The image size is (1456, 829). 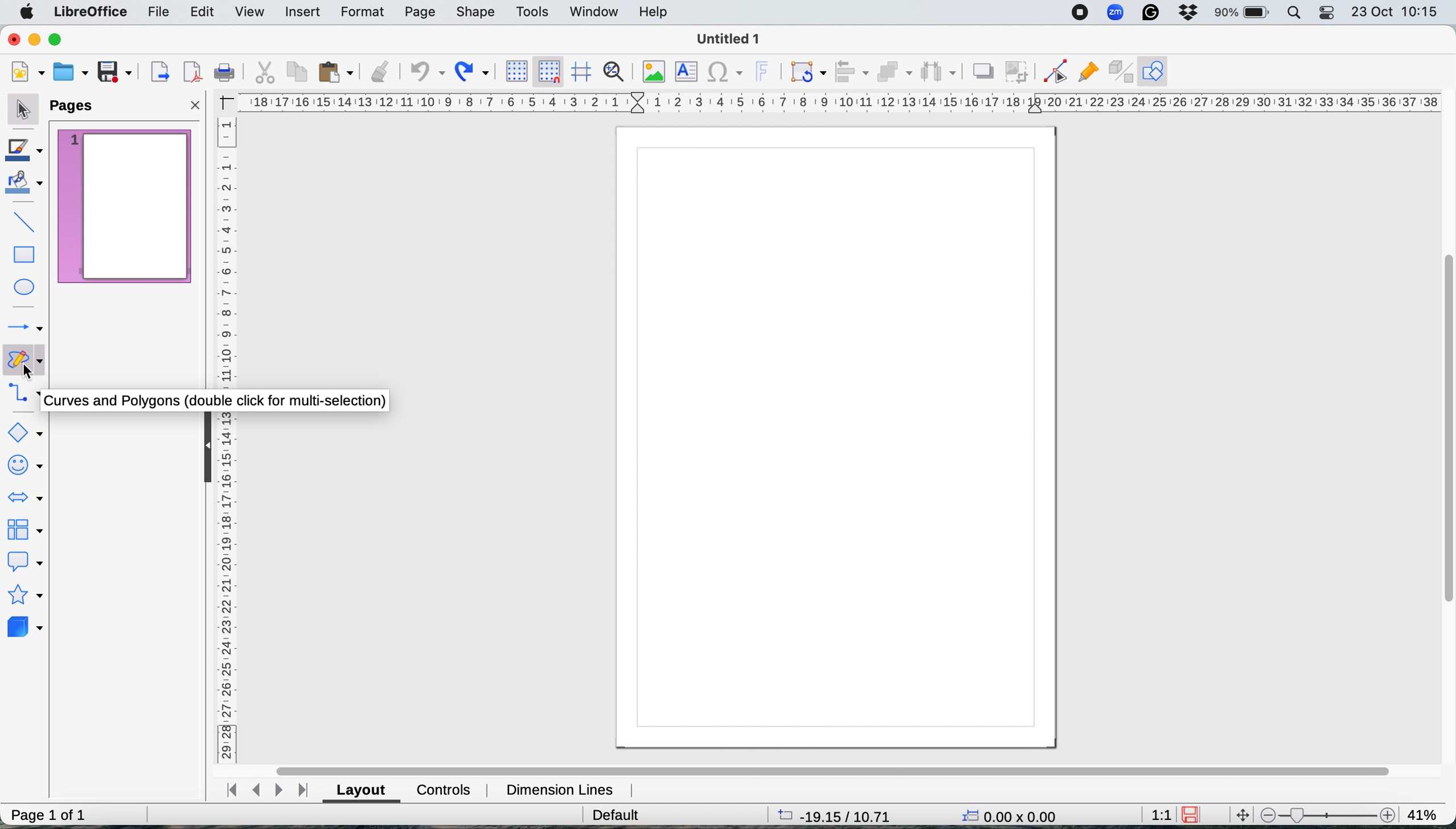 I want to click on date and time, so click(x=1395, y=13).